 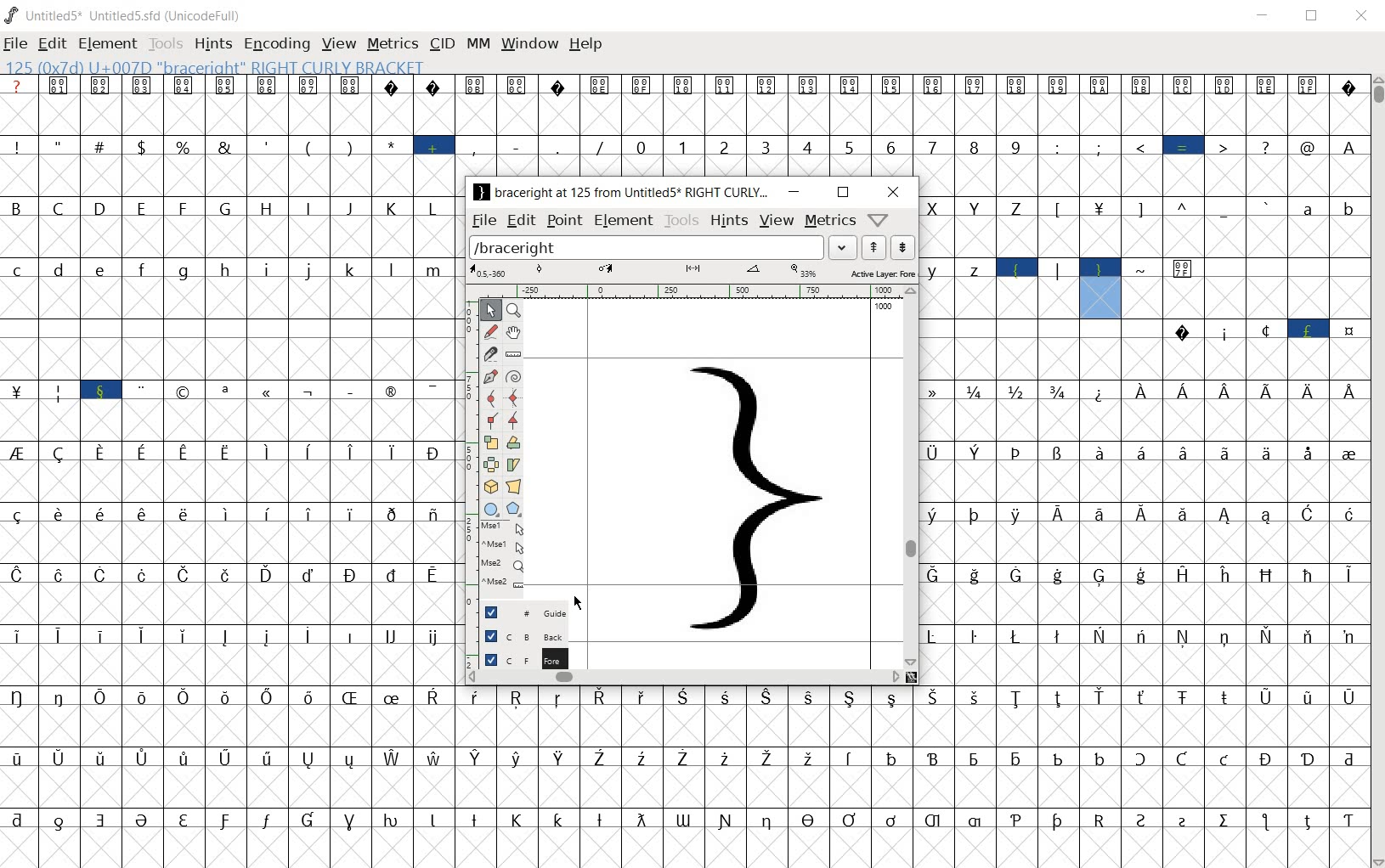 What do you see at coordinates (491, 420) in the screenshot?
I see `Add a corner point` at bounding box center [491, 420].